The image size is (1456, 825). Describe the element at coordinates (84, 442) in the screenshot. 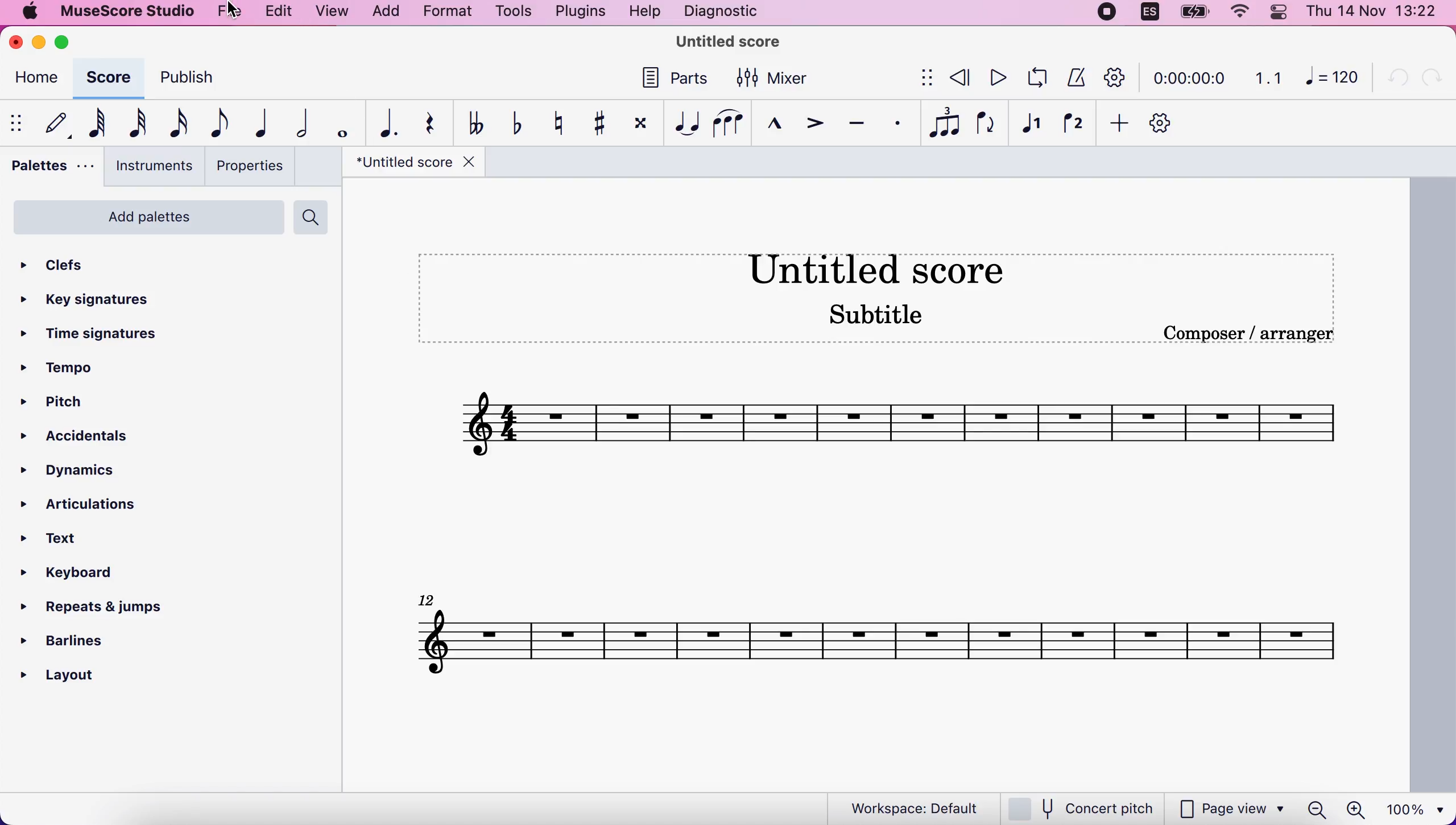

I see `accidentals` at that location.